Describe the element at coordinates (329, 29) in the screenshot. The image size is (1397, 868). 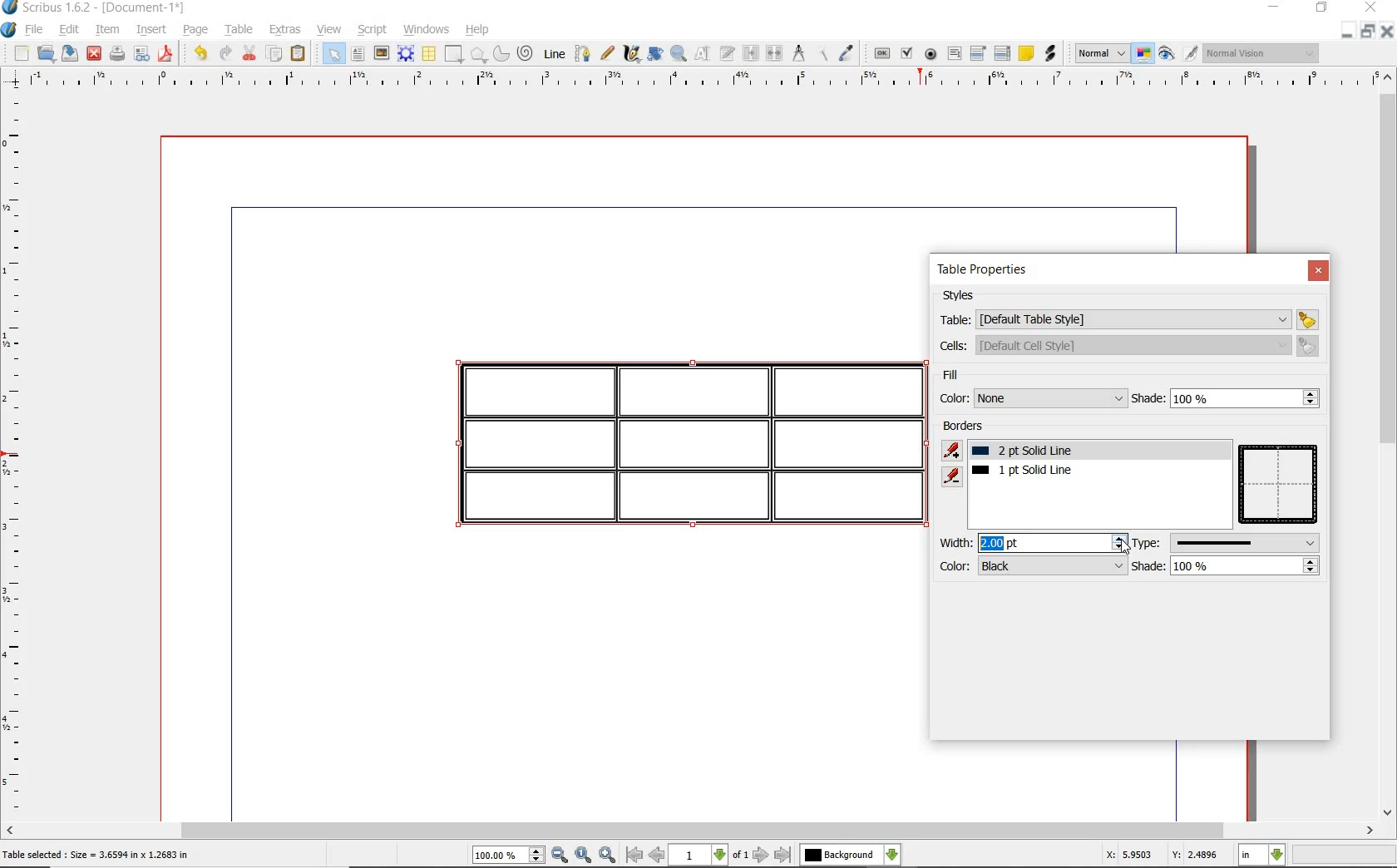
I see `view` at that location.